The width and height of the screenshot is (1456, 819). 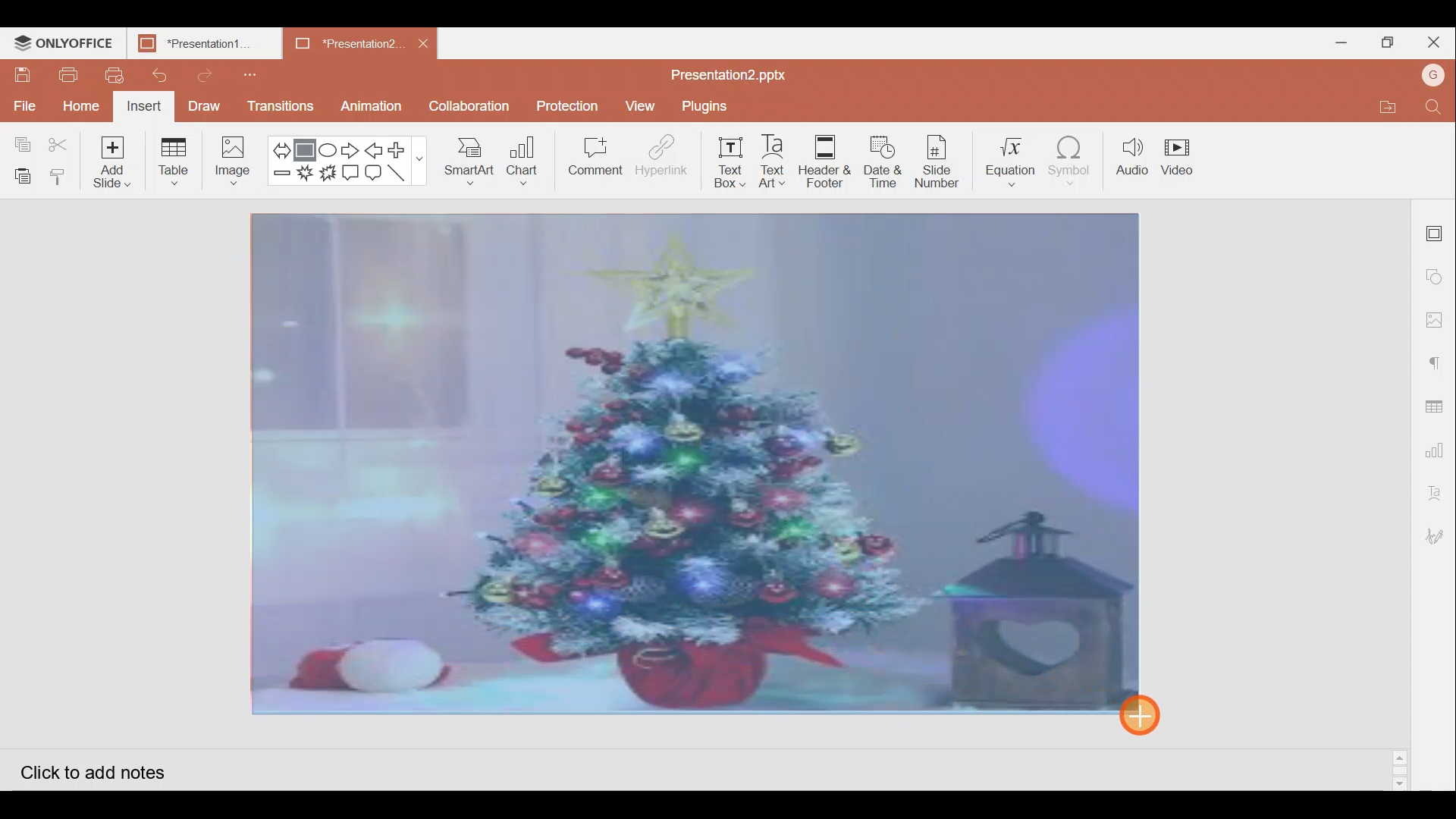 I want to click on Close, so click(x=1434, y=41).